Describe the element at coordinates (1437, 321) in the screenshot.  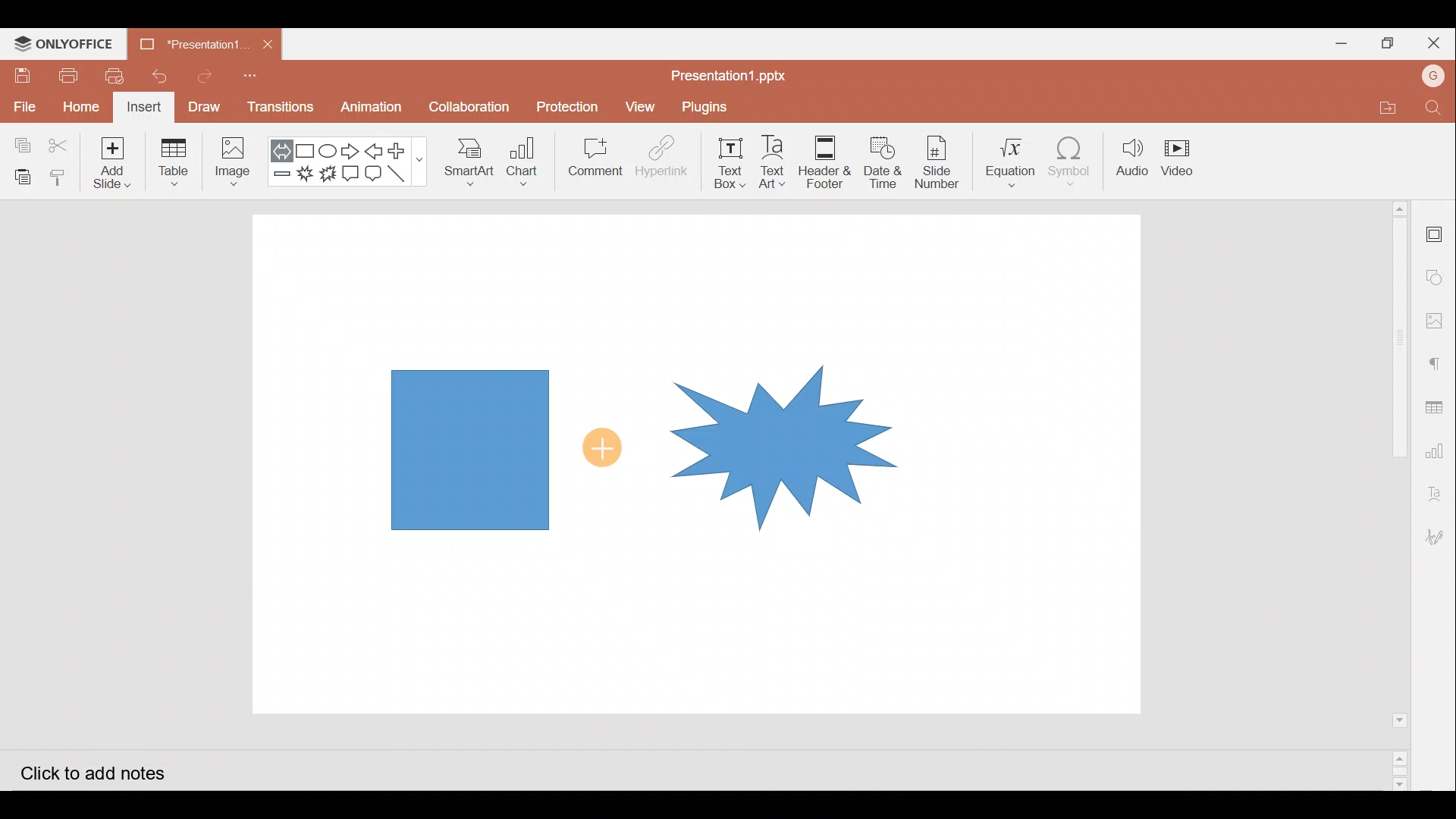
I see `Image settings` at that location.